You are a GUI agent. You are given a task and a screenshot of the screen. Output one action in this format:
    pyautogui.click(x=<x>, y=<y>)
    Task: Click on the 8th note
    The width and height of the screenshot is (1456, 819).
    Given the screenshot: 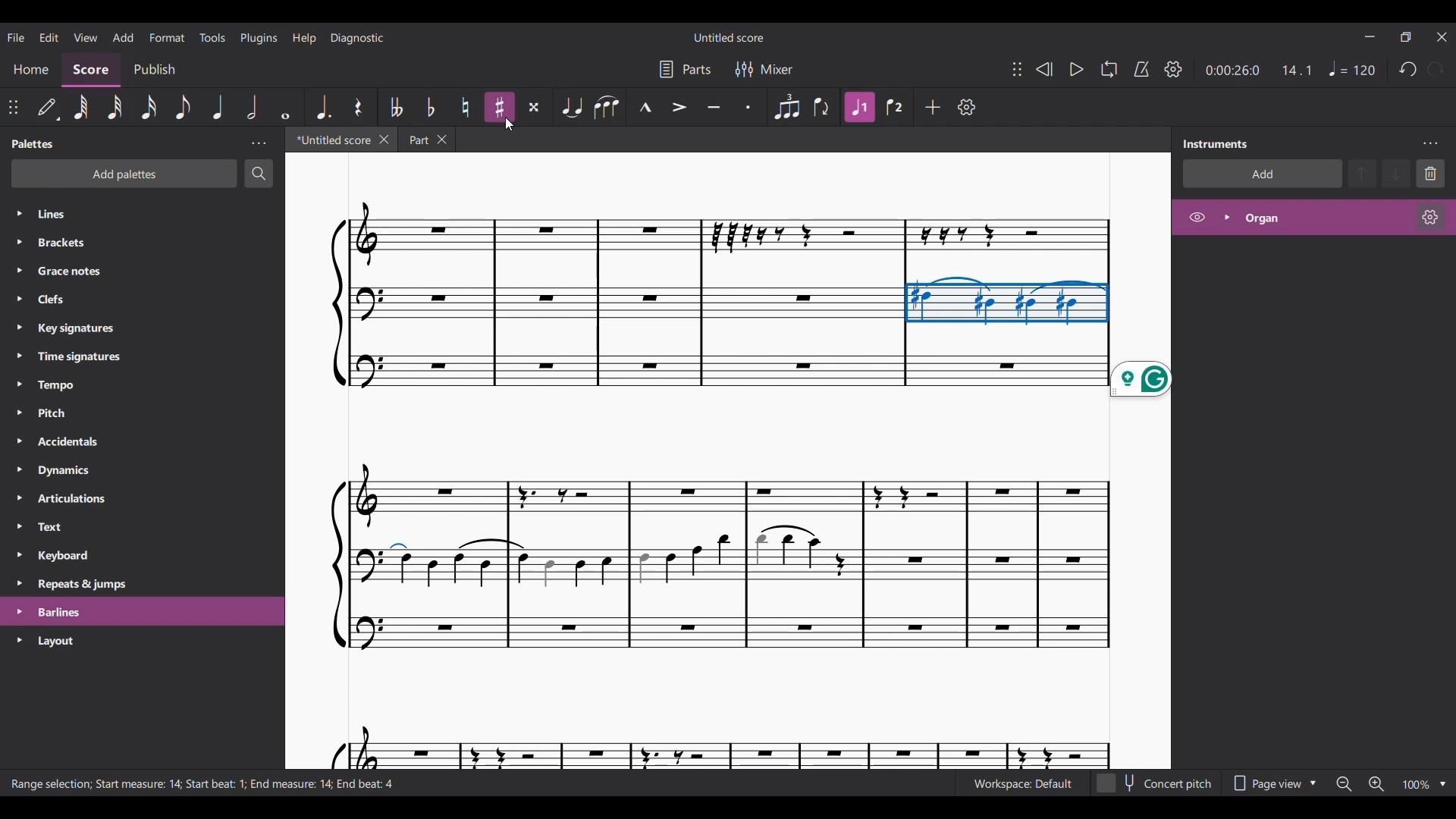 What is the action you would take?
    pyautogui.click(x=183, y=107)
    